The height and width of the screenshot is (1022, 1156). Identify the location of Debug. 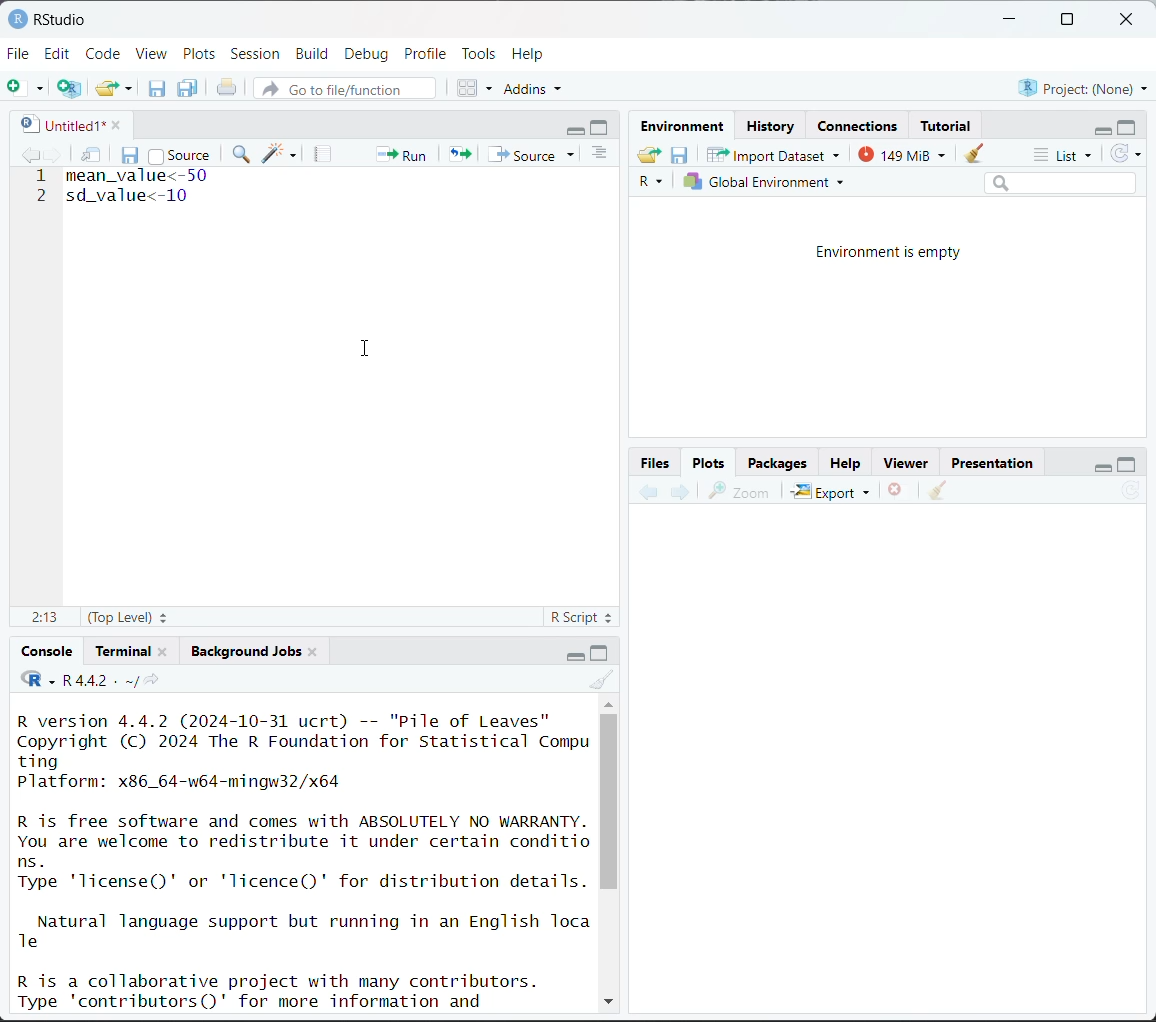
(366, 54).